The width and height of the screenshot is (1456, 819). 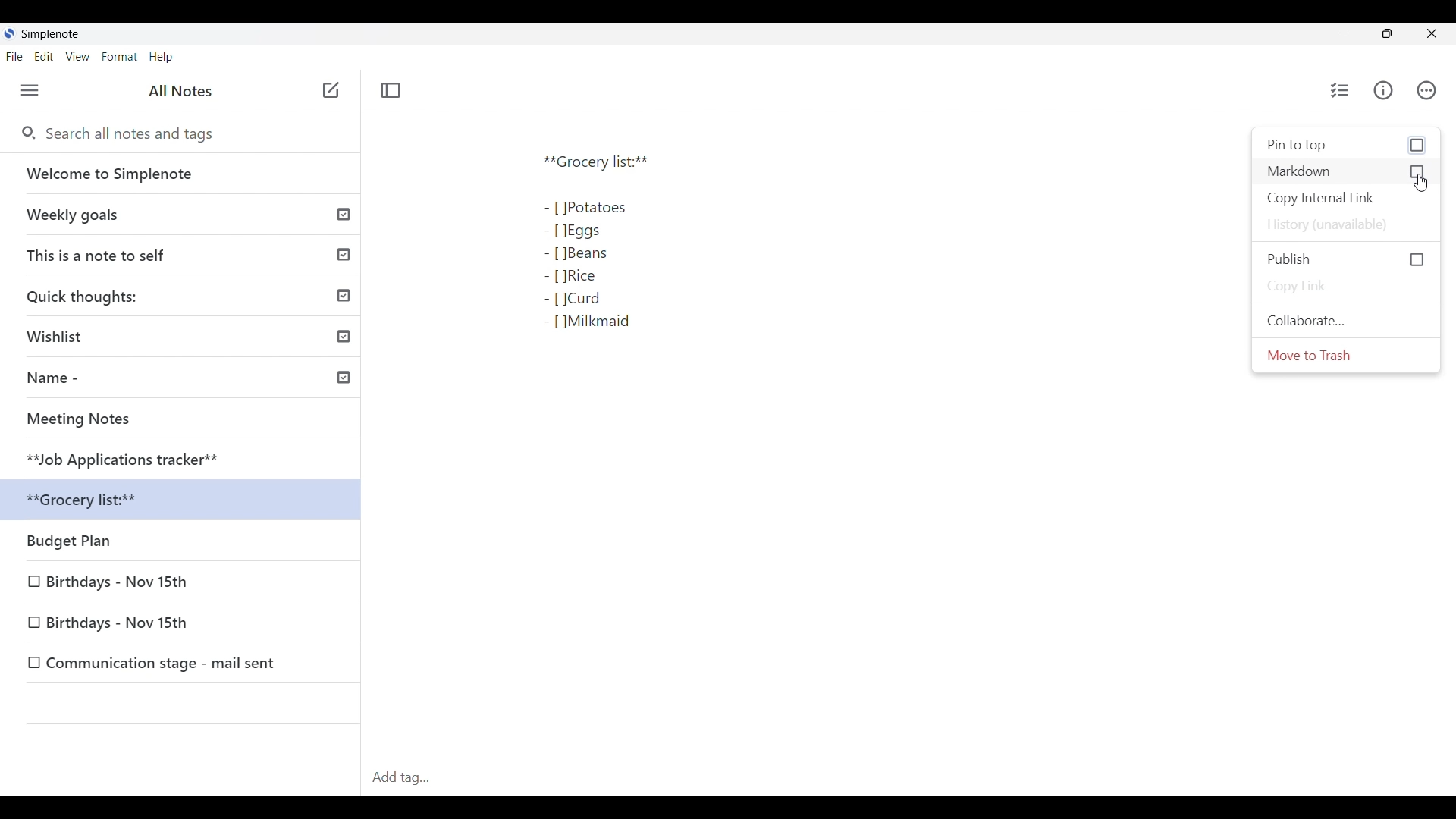 What do you see at coordinates (182, 584) in the screenshot?
I see `Birthdays - Nov 15th` at bounding box center [182, 584].